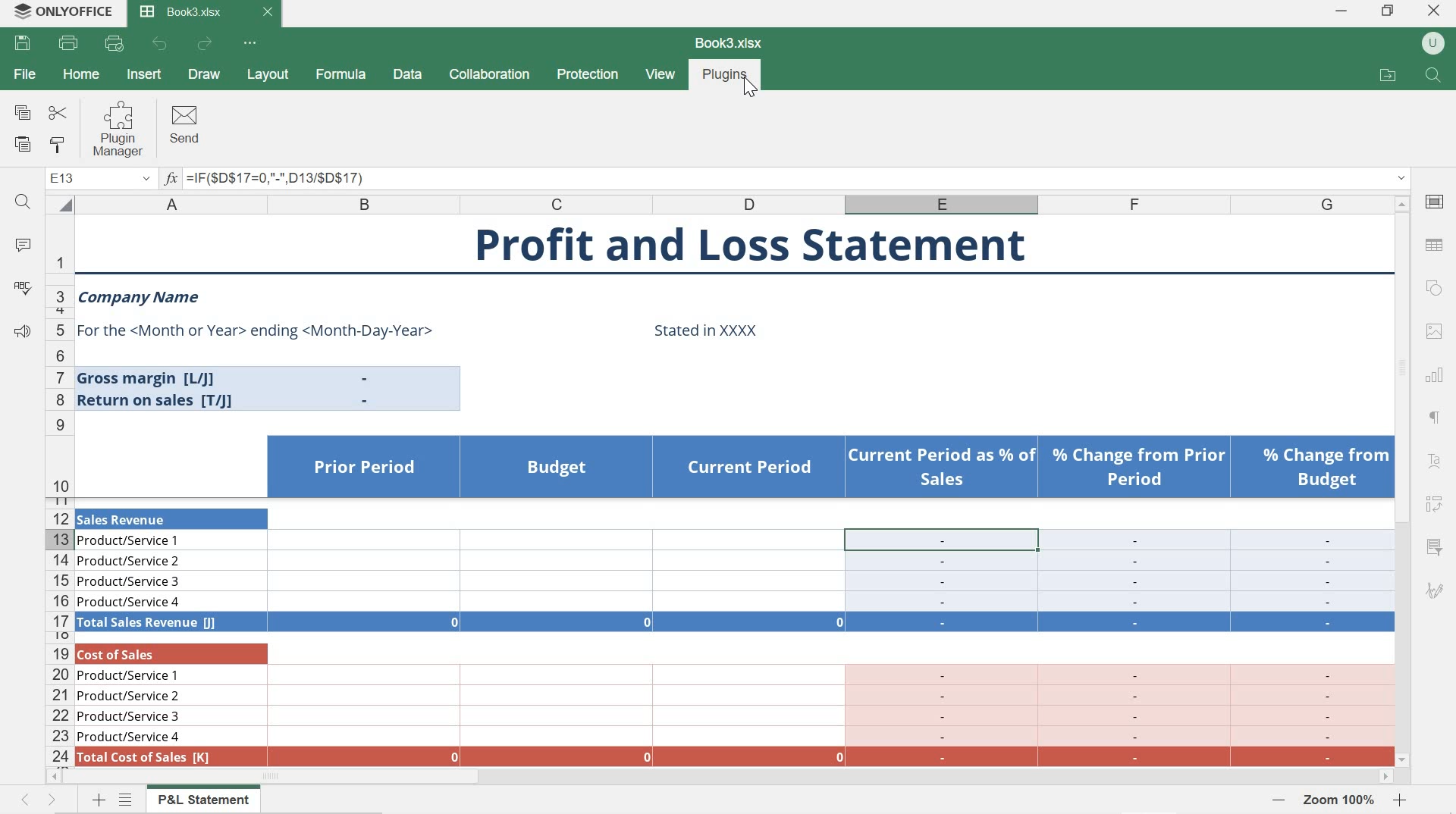 This screenshot has width=1456, height=814. I want to click on undo, so click(160, 45).